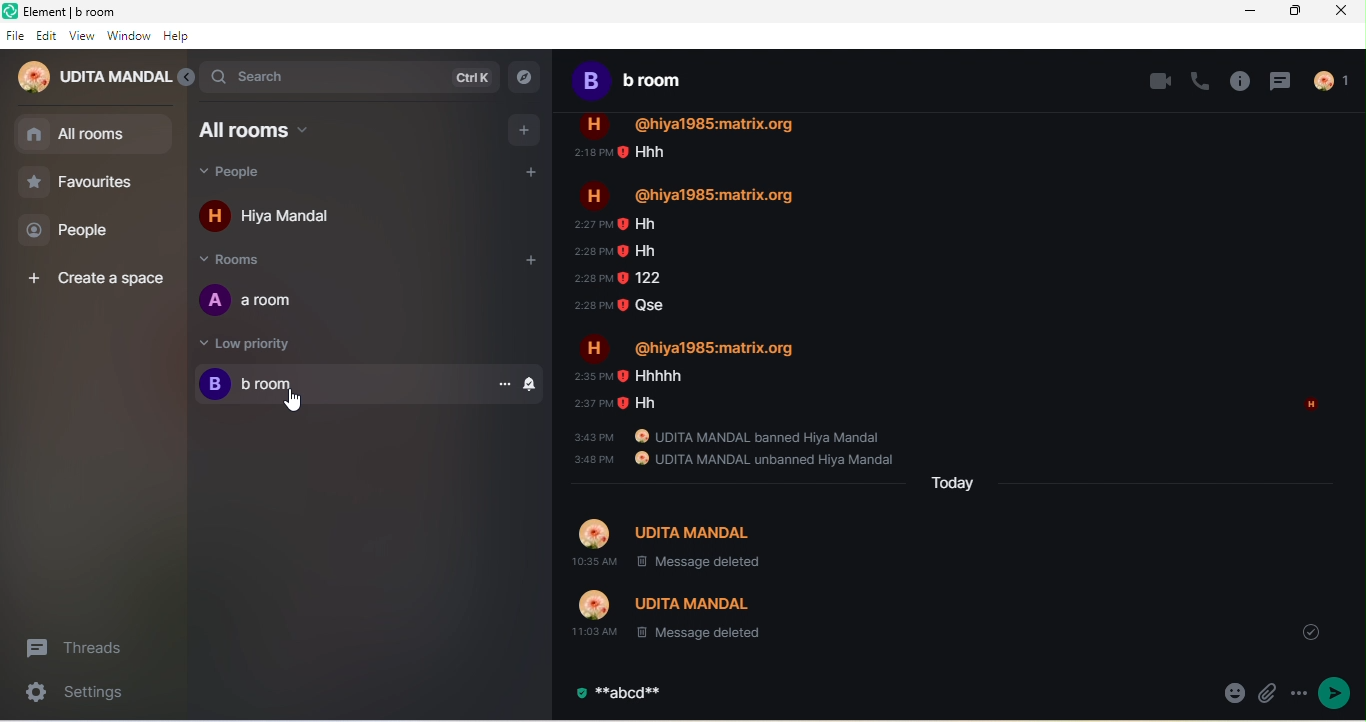 Image resolution: width=1366 pixels, height=722 pixels. I want to click on threads, so click(88, 643).